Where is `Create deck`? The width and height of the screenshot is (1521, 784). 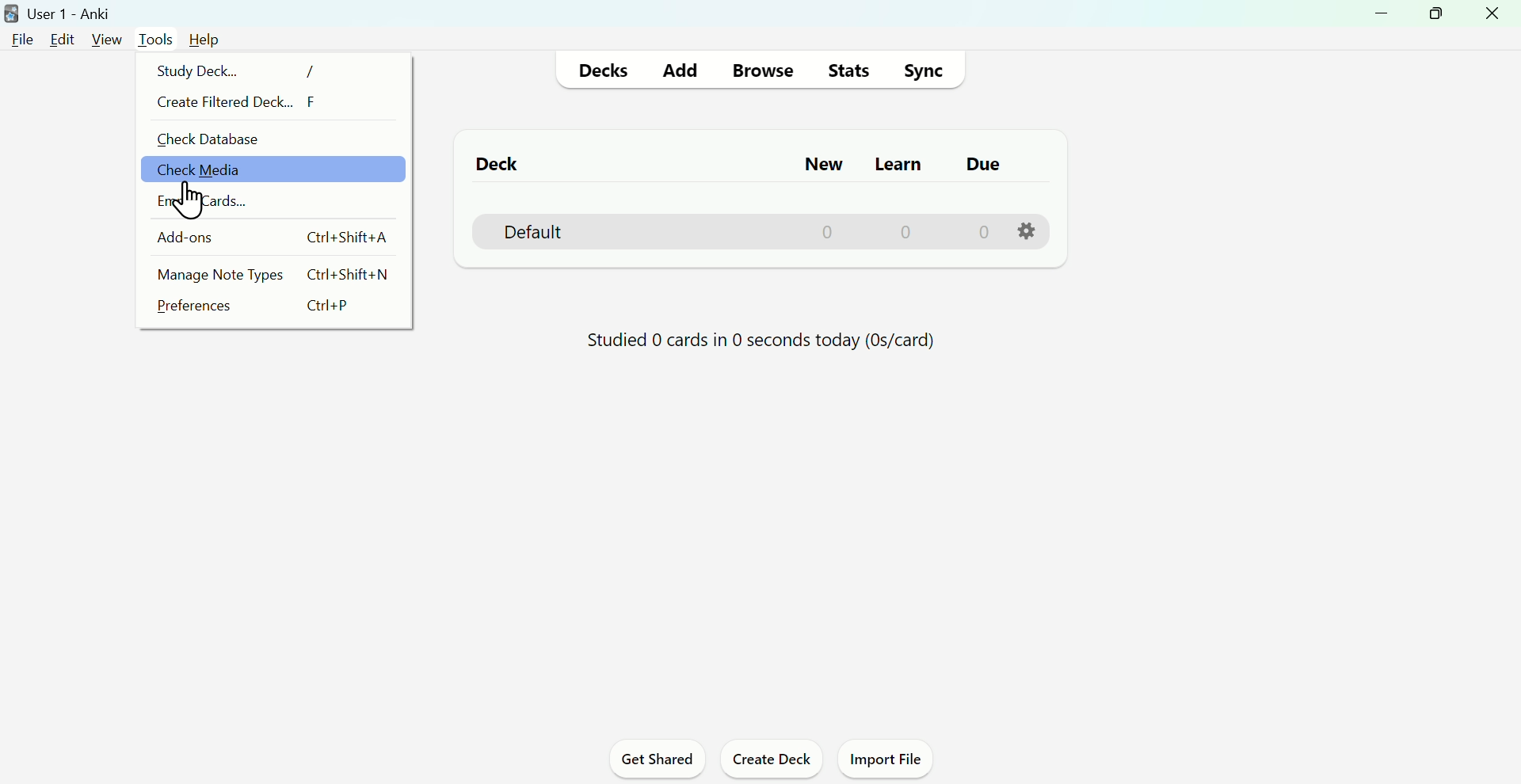
Create deck is located at coordinates (774, 759).